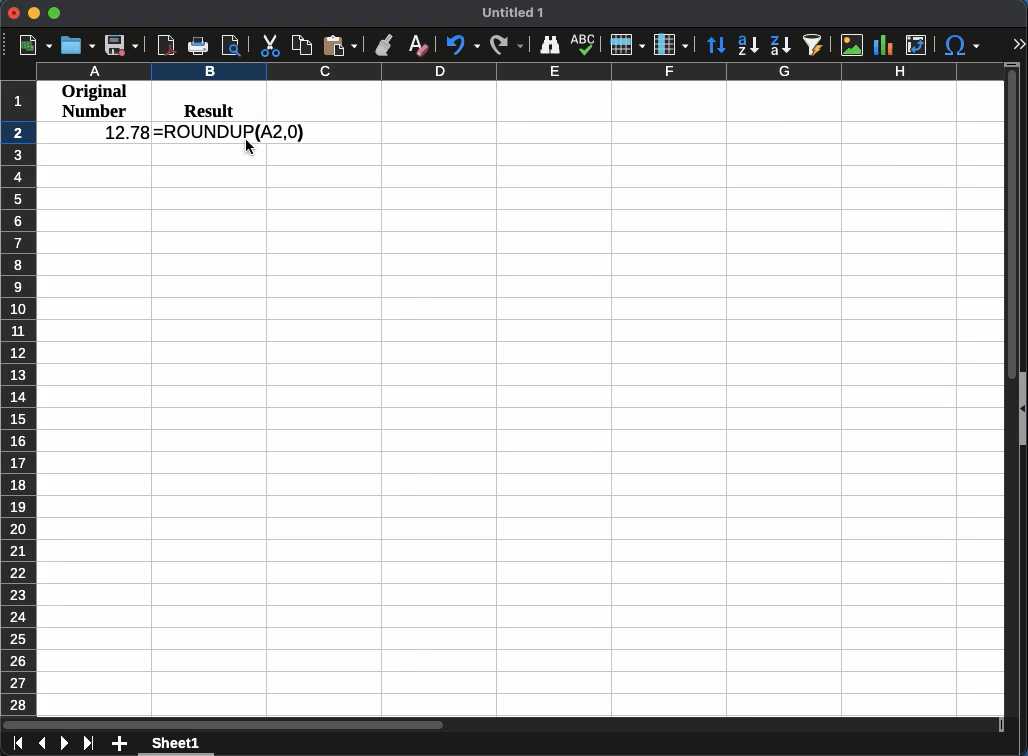 This screenshot has height=756, width=1028. I want to click on Sort, so click(716, 45).